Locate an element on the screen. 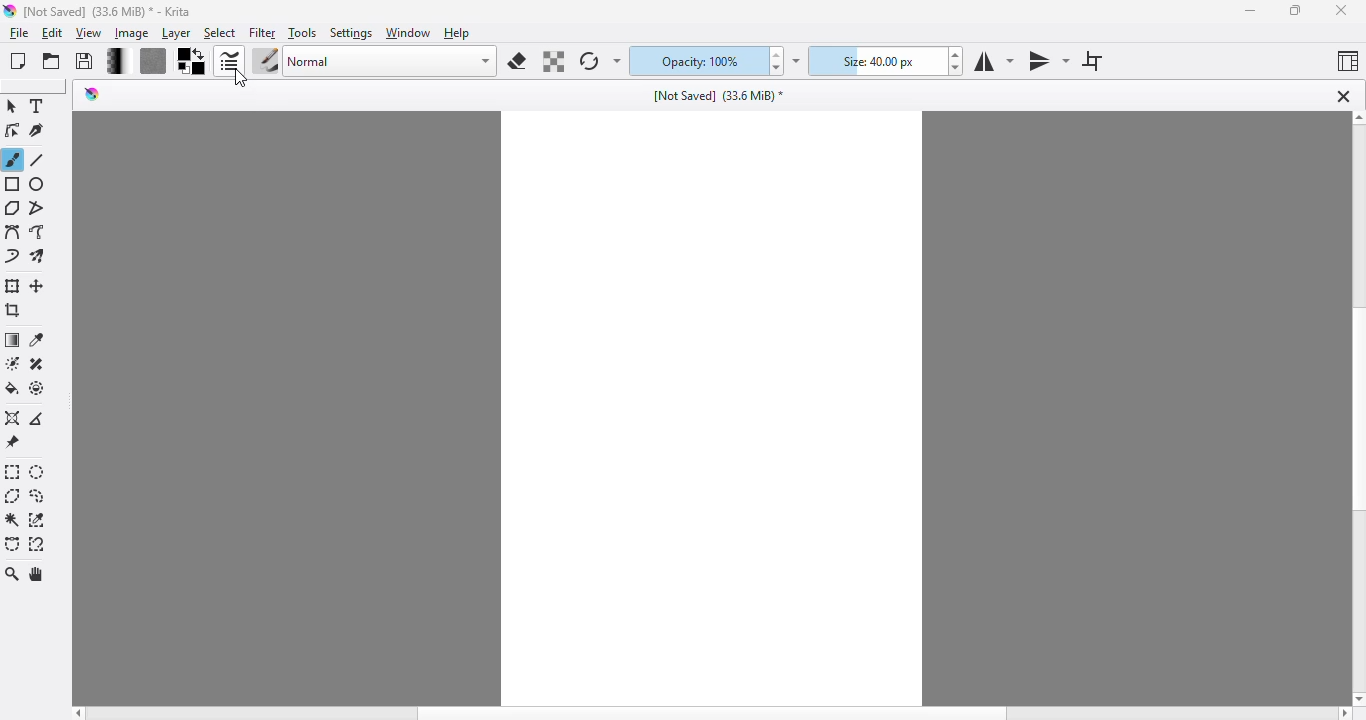 Image resolution: width=1366 pixels, height=720 pixels. save is located at coordinates (85, 61).